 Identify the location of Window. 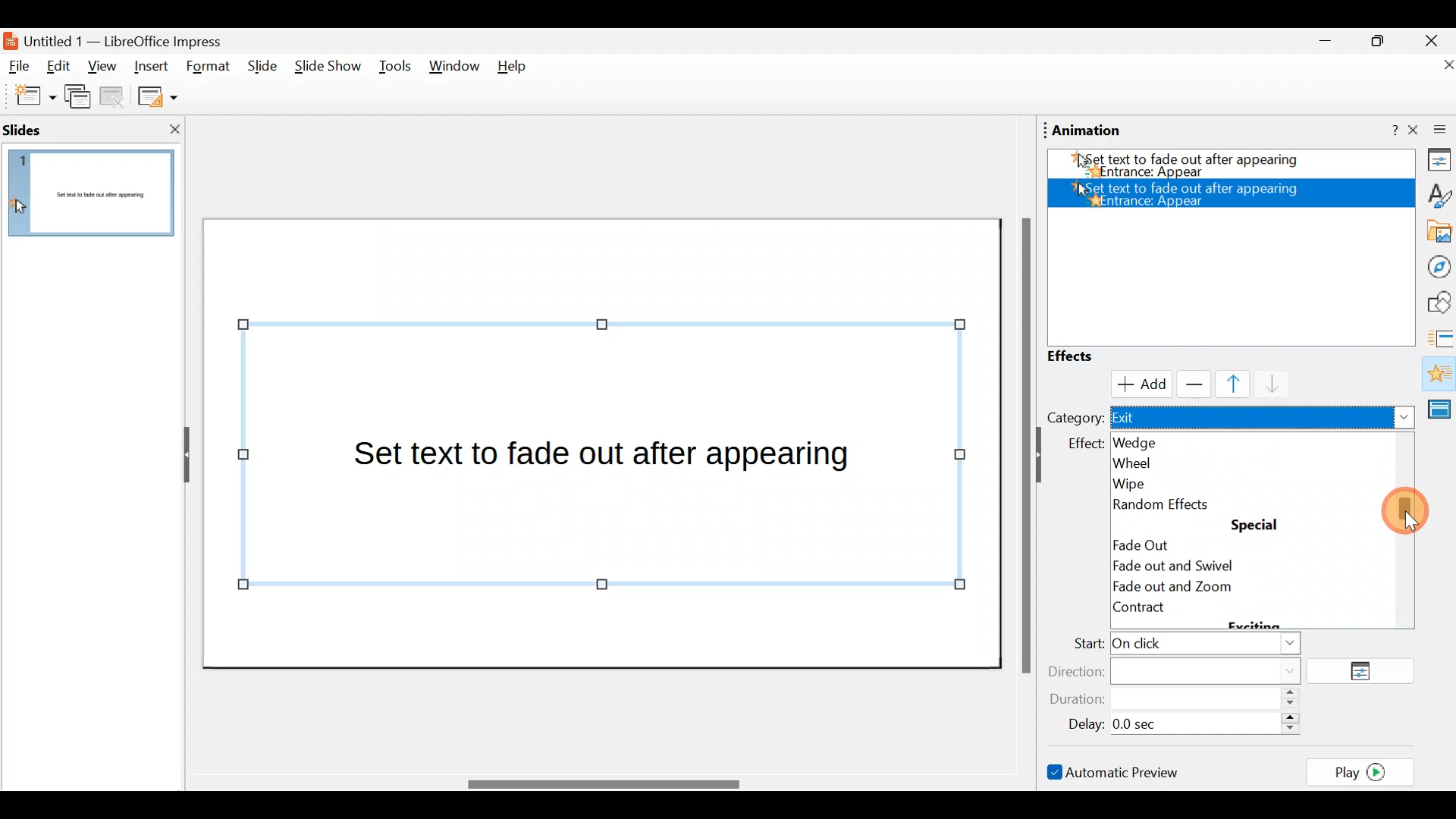
(455, 70).